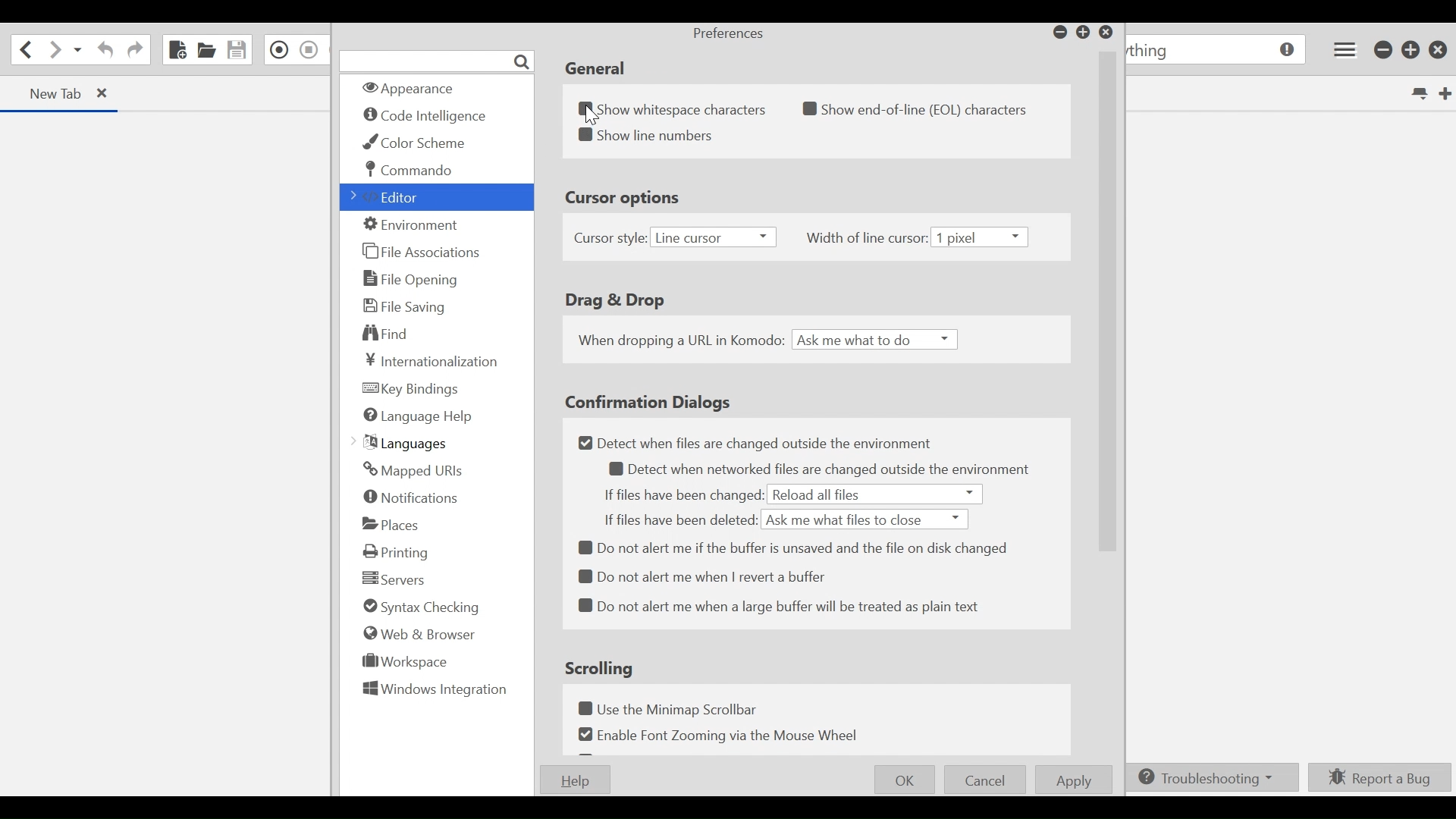 Image resolution: width=1456 pixels, height=819 pixels. What do you see at coordinates (54, 50) in the screenshot?
I see `Go forward one location` at bounding box center [54, 50].